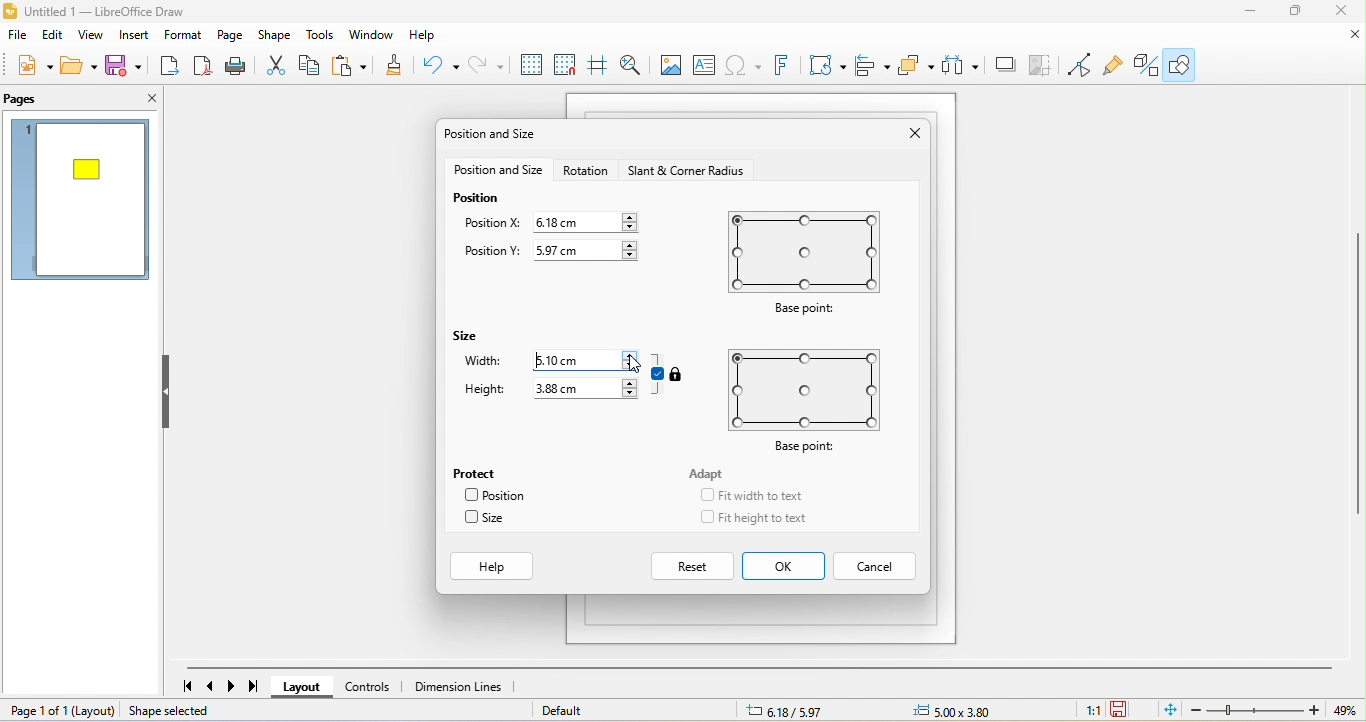 This screenshot has height=722, width=1366. What do you see at coordinates (585, 389) in the screenshot?
I see `3.88 cm` at bounding box center [585, 389].